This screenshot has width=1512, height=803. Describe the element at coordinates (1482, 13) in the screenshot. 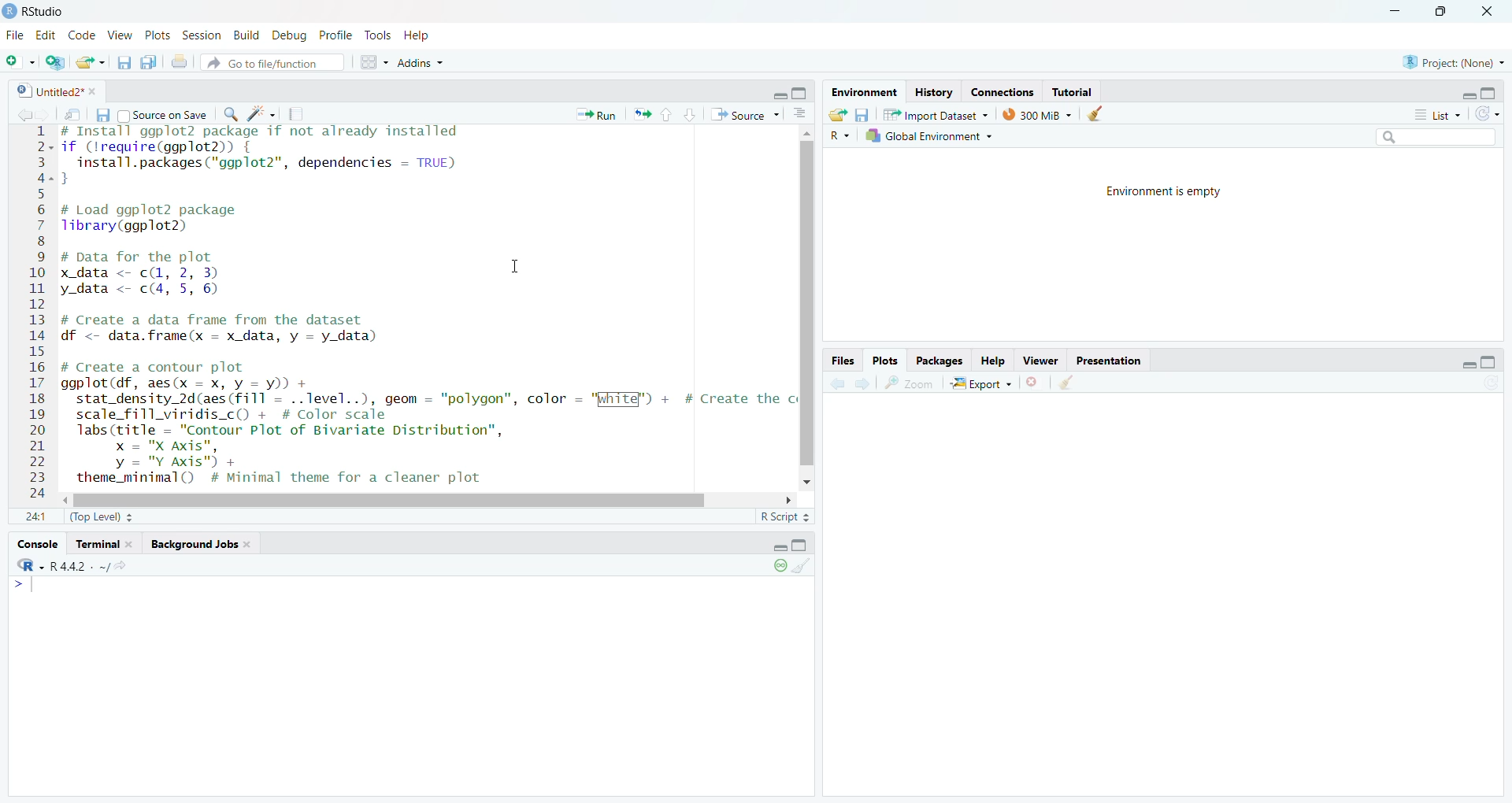

I see `close` at that location.